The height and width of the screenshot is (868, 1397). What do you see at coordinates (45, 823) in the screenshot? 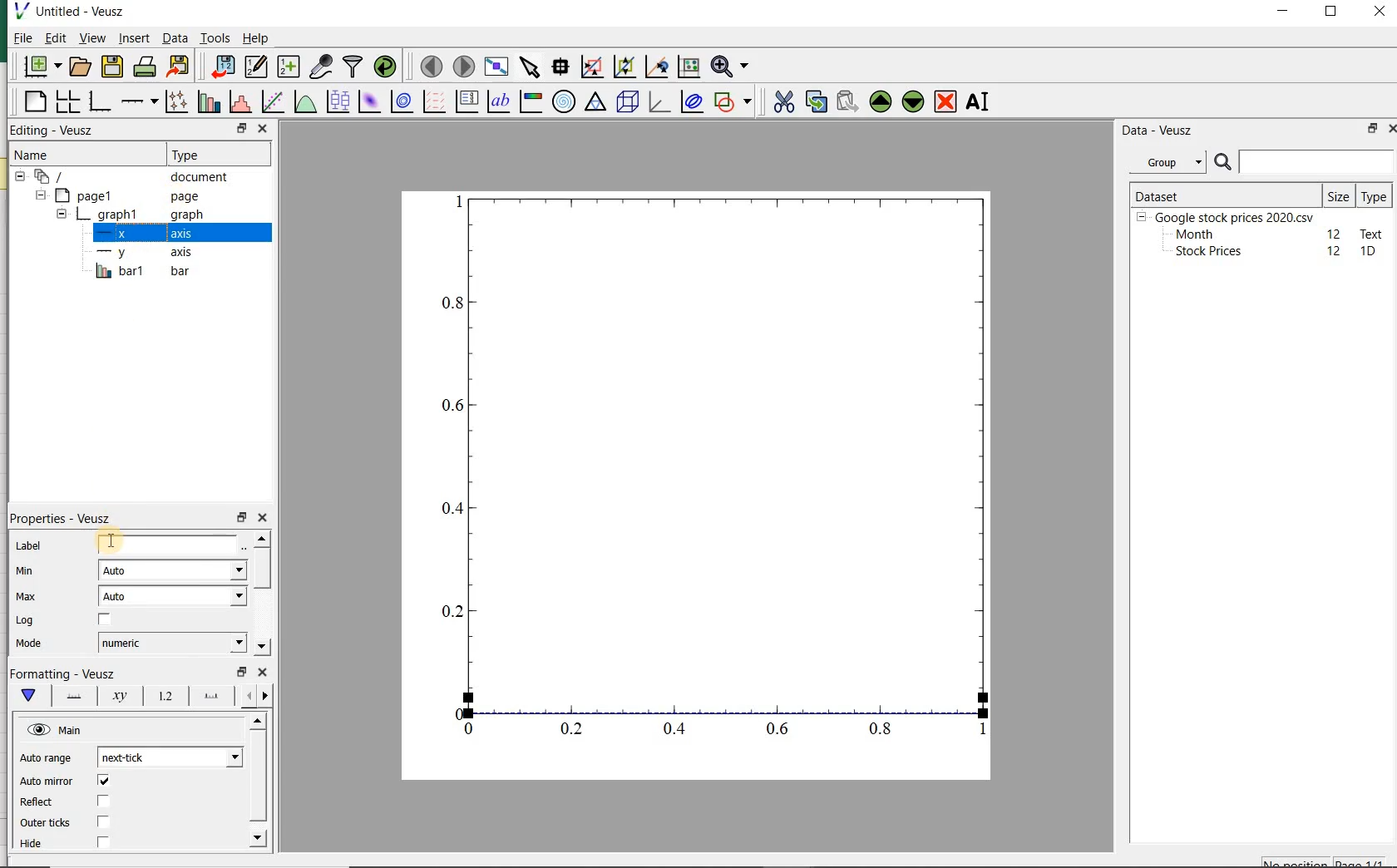
I see `Outer ticks` at bounding box center [45, 823].